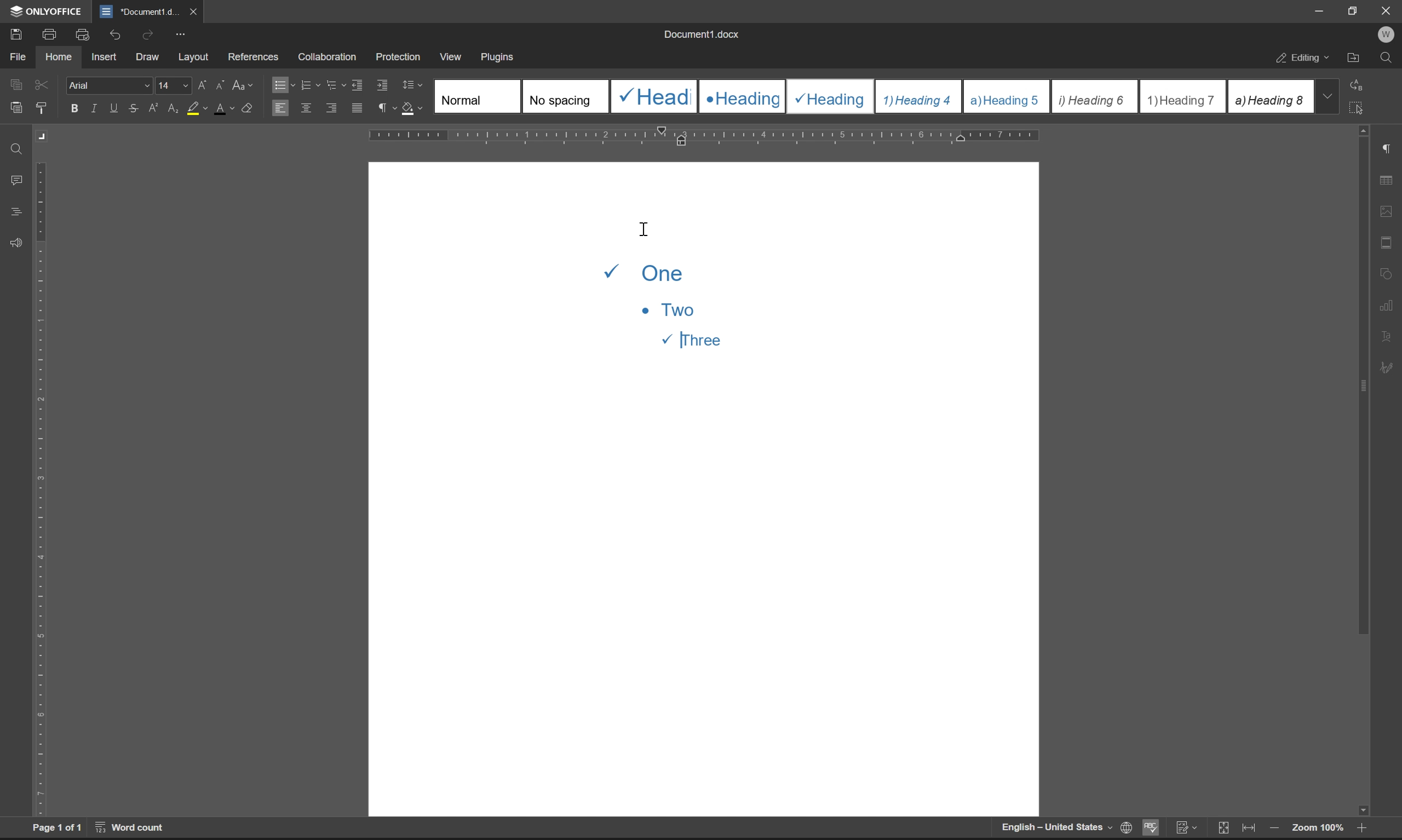  Describe the element at coordinates (310, 85) in the screenshot. I see `numbering` at that location.